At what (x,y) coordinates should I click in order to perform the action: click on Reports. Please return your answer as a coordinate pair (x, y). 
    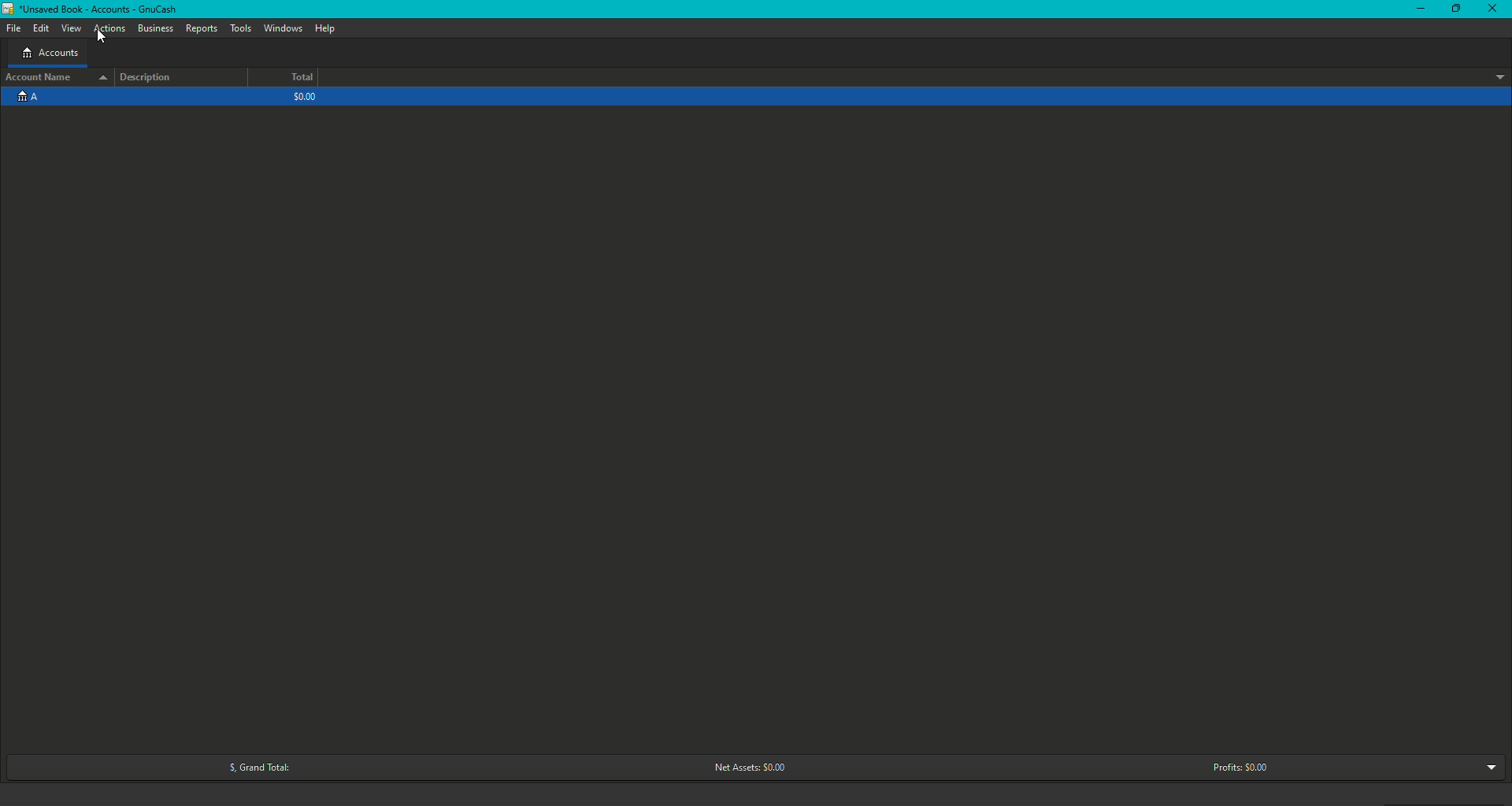
    Looking at the image, I should click on (201, 31).